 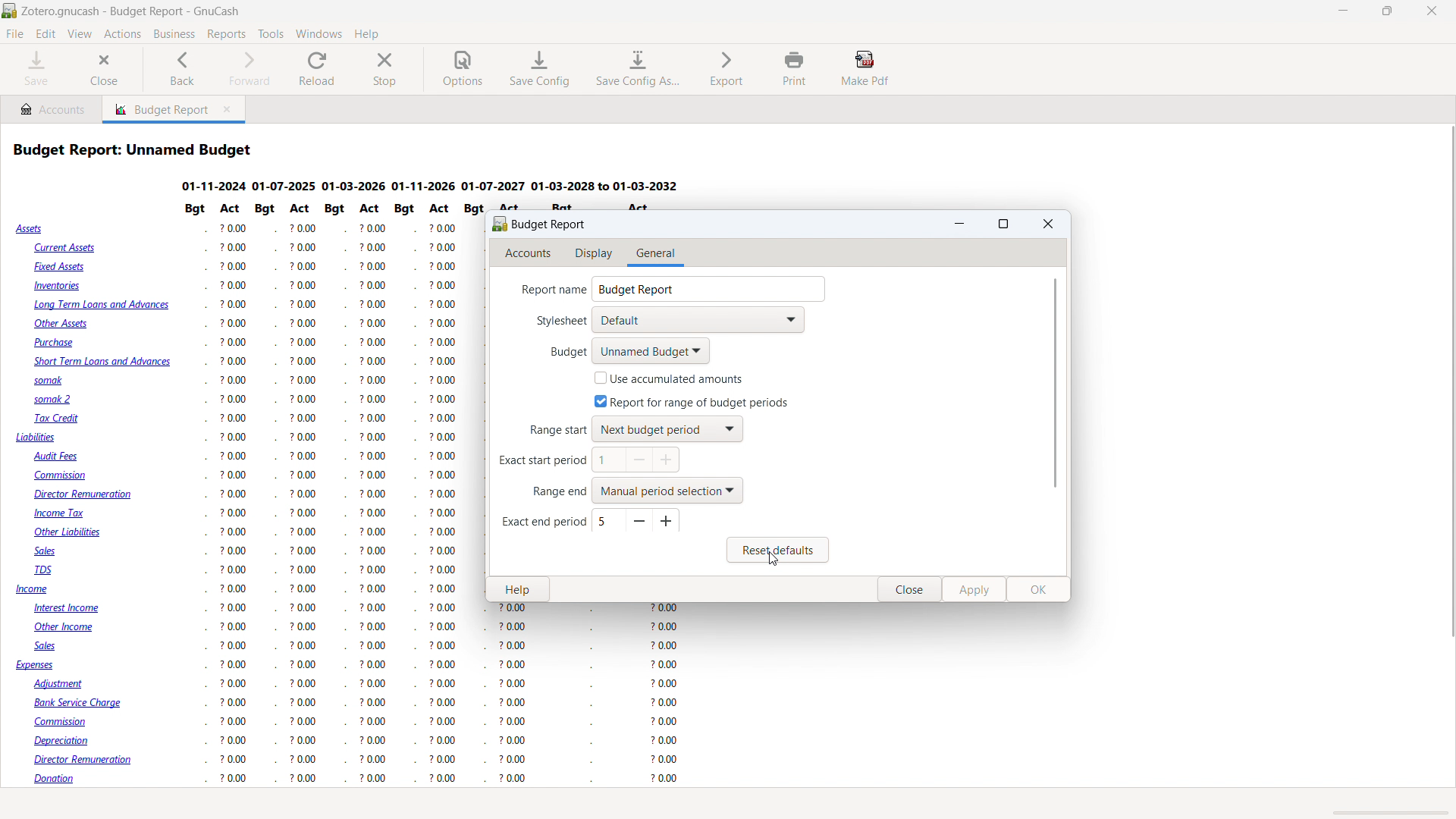 What do you see at coordinates (1345, 11) in the screenshot?
I see `minimize` at bounding box center [1345, 11].